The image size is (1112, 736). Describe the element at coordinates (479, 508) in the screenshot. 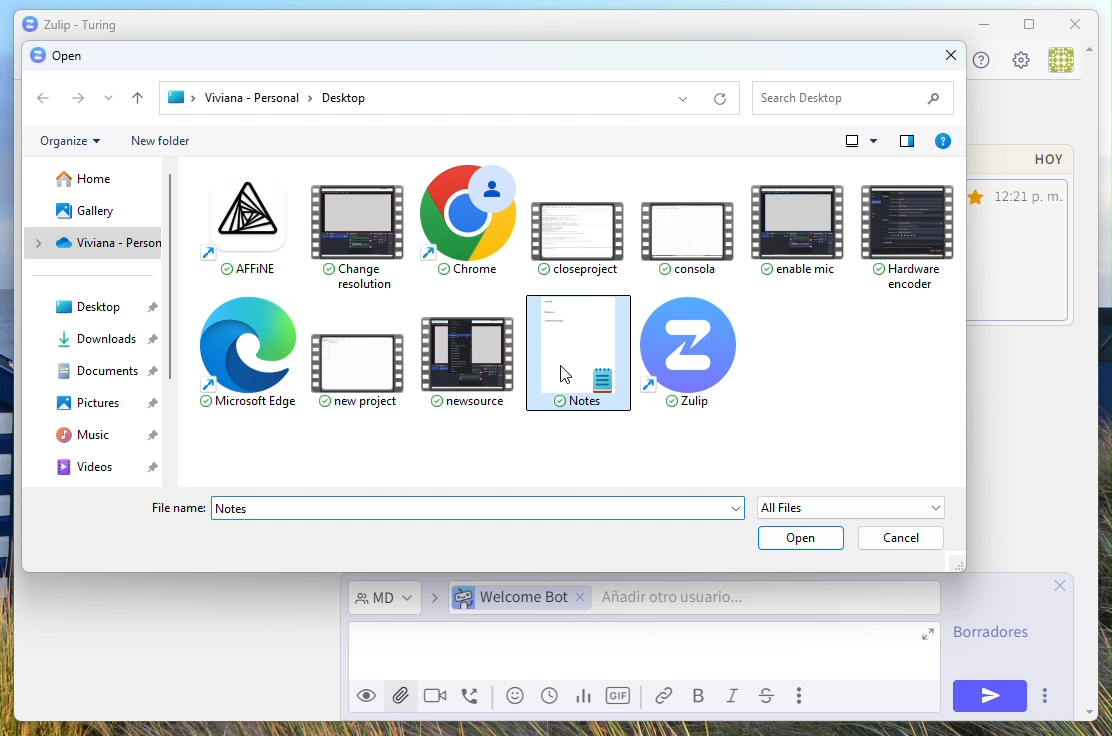

I see `Notes` at that location.